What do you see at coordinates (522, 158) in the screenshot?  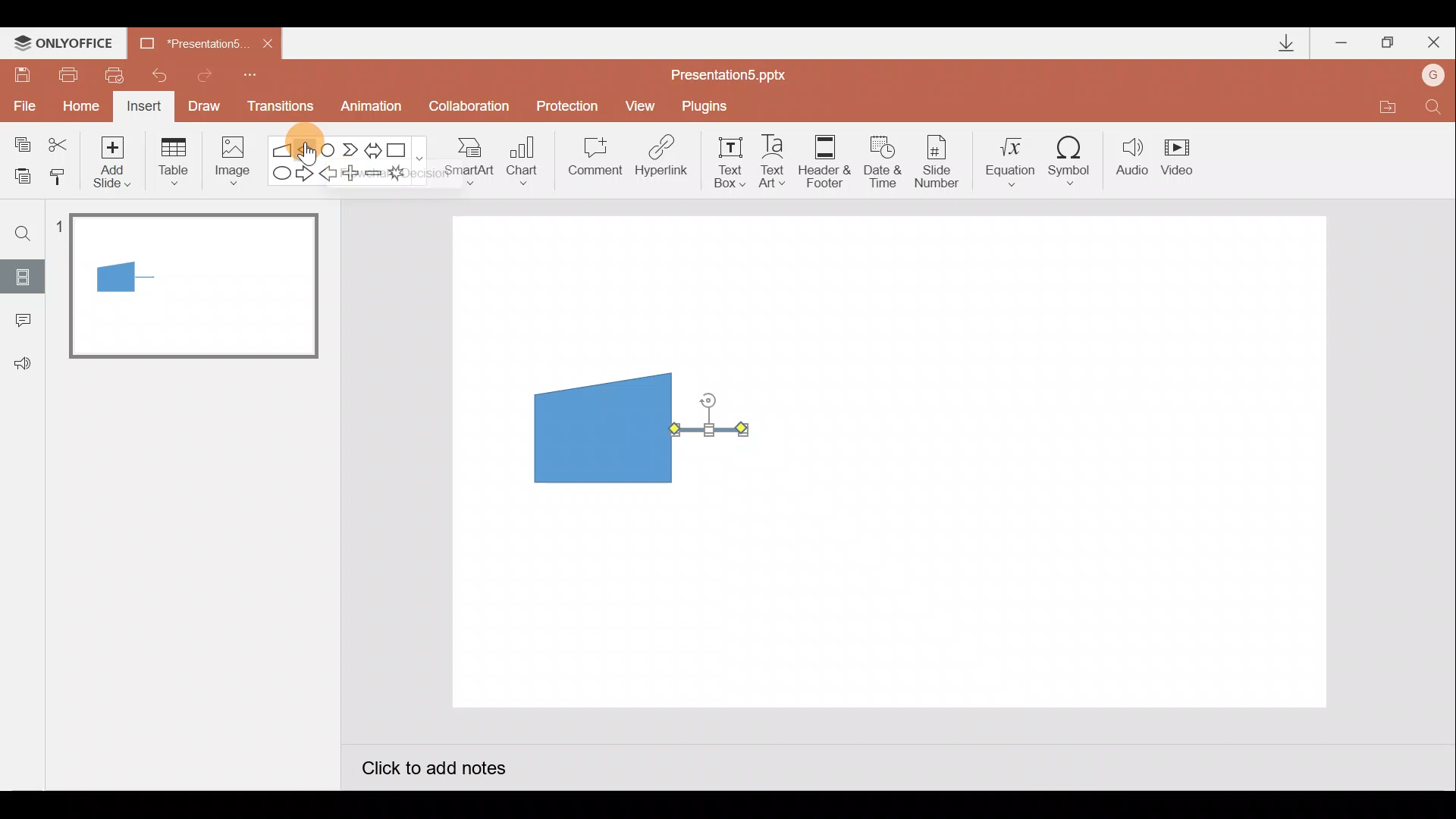 I see `Chart` at bounding box center [522, 158].